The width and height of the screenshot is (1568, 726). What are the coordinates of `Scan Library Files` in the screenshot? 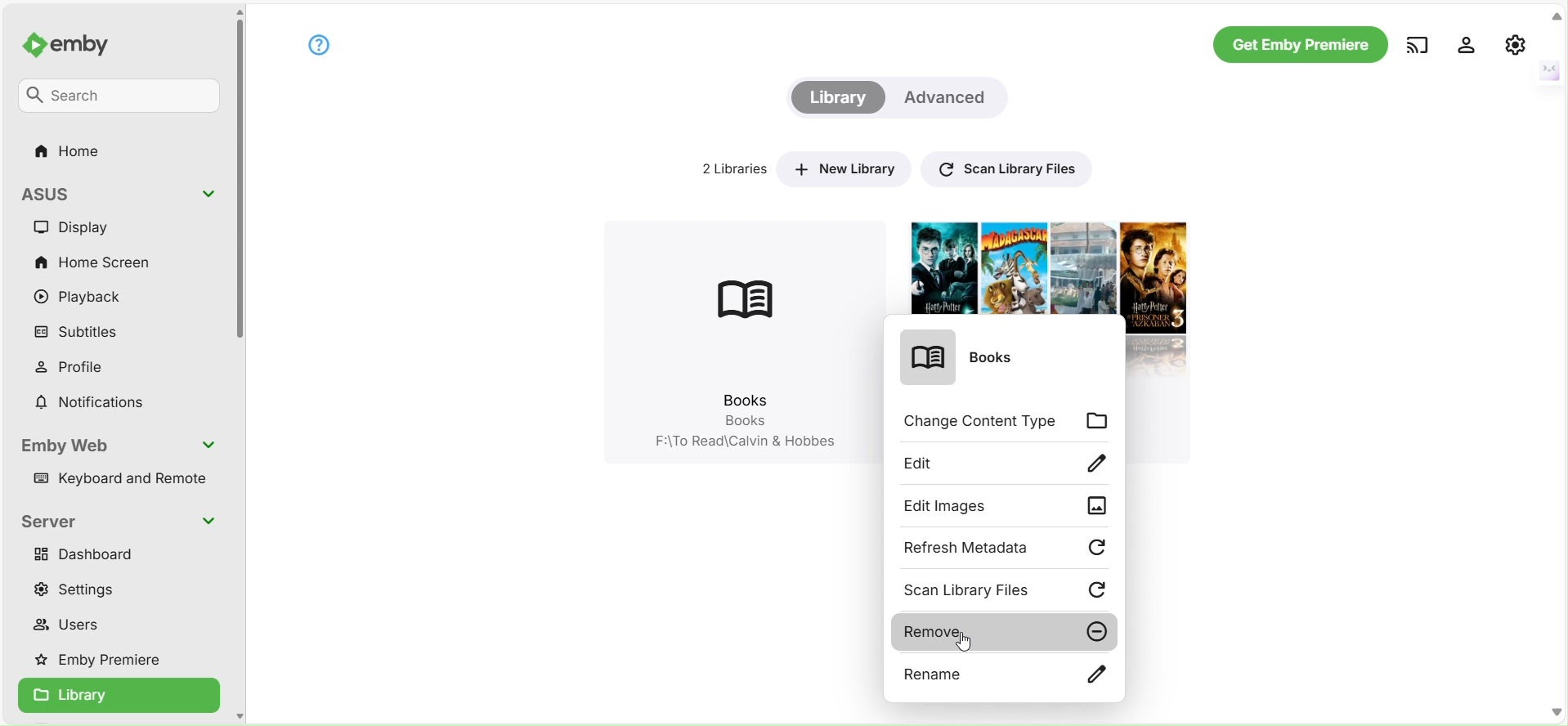 It's located at (1004, 167).